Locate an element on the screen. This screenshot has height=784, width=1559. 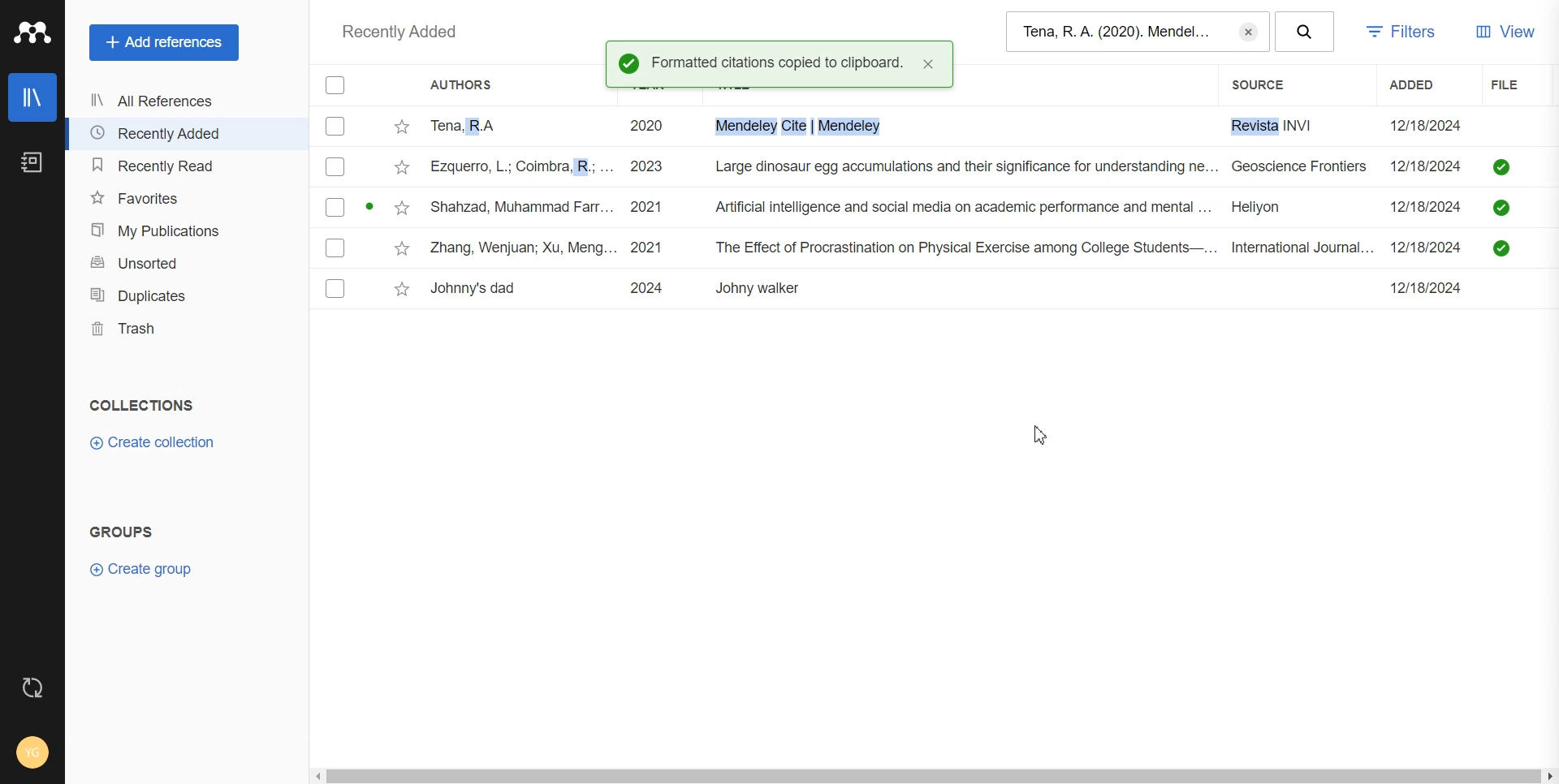
saved is located at coordinates (1501, 250).